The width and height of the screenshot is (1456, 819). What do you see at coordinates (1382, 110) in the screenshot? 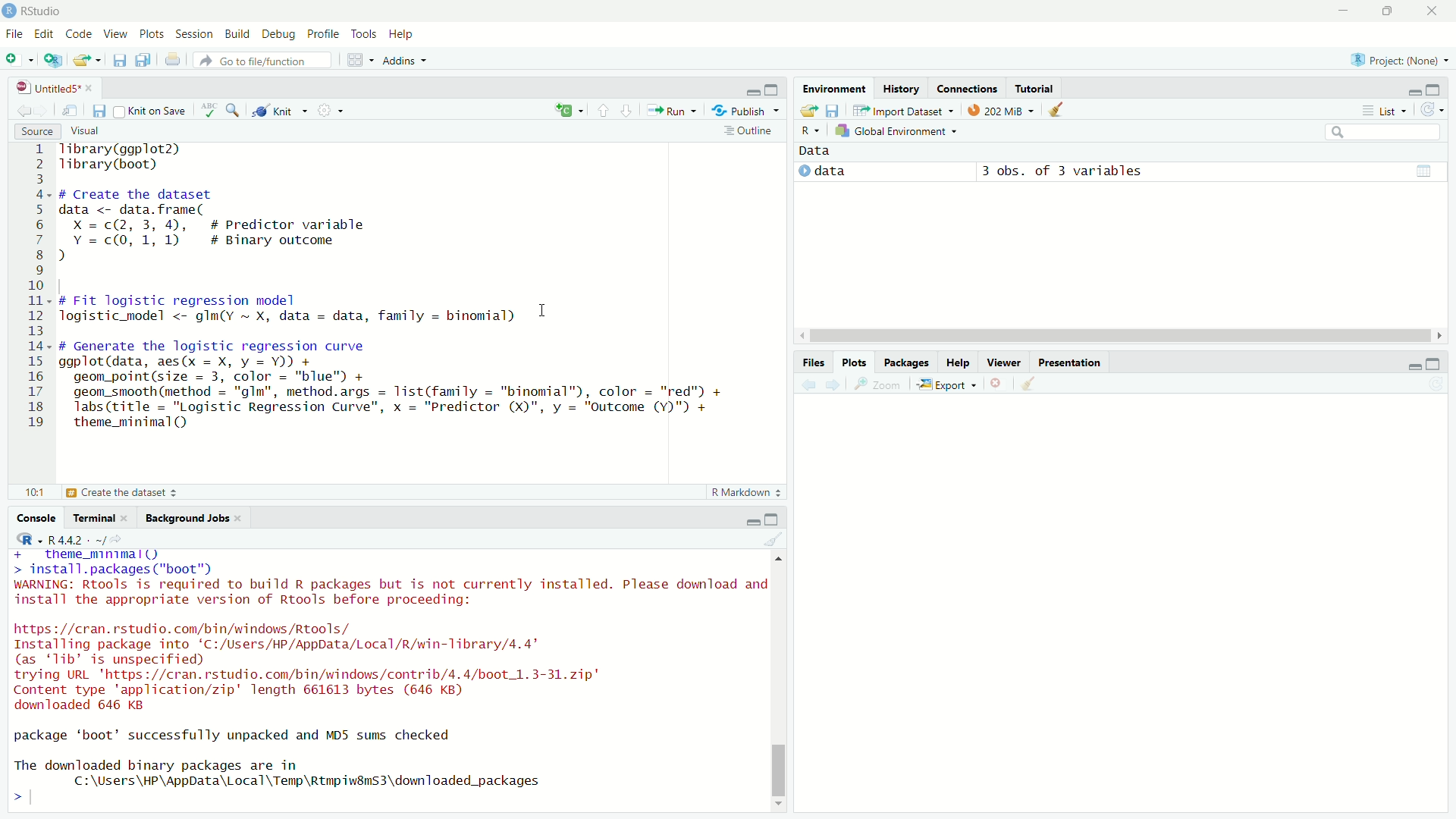
I see `List` at bounding box center [1382, 110].